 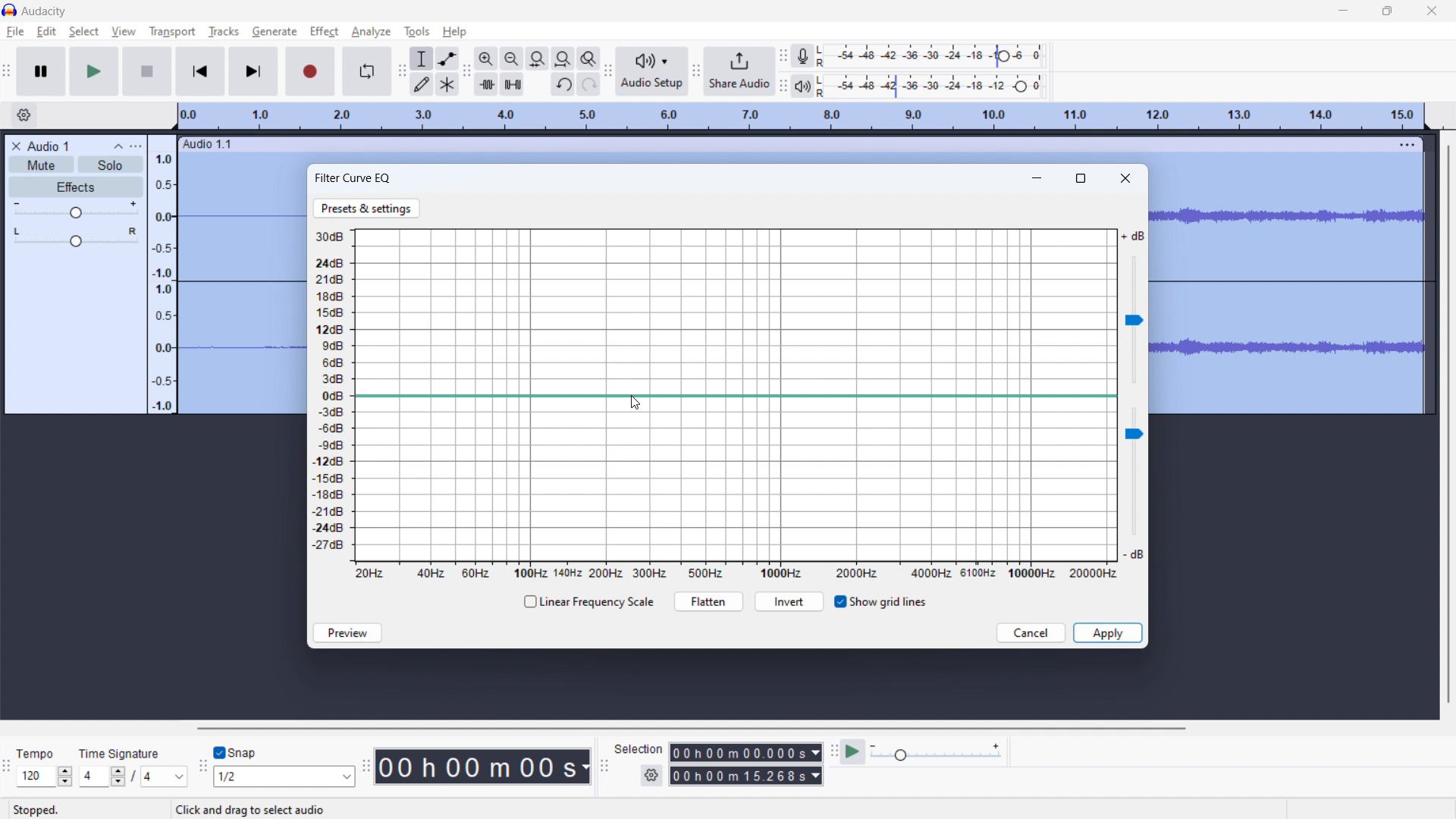 What do you see at coordinates (784, 56) in the screenshot?
I see `recording meter toolbar` at bounding box center [784, 56].